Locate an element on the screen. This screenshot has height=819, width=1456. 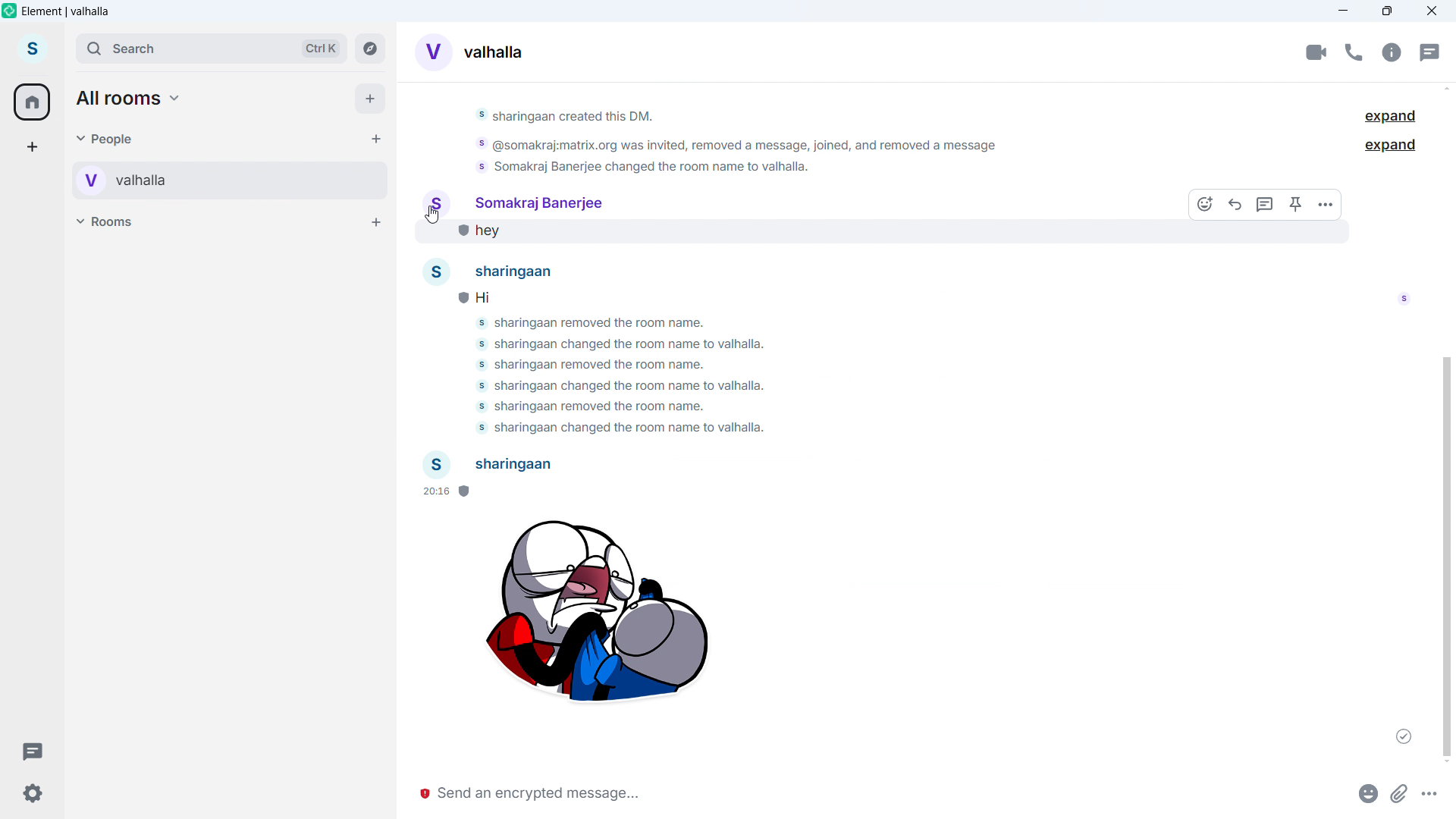
sharinggaan removed the room name is located at coordinates (588, 322).